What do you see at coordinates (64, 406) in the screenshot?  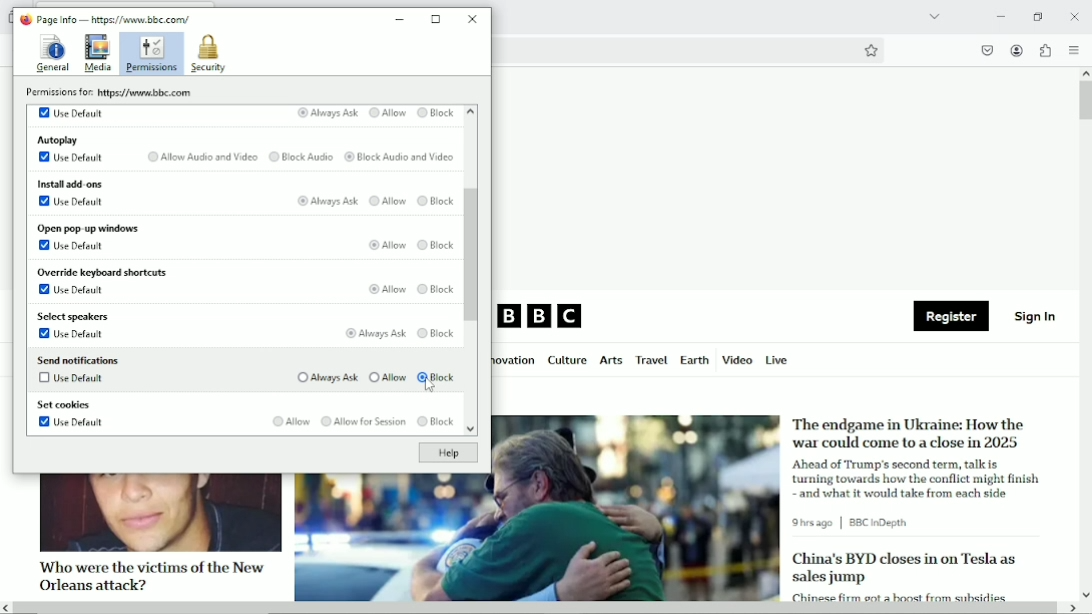 I see `Set cookies` at bounding box center [64, 406].